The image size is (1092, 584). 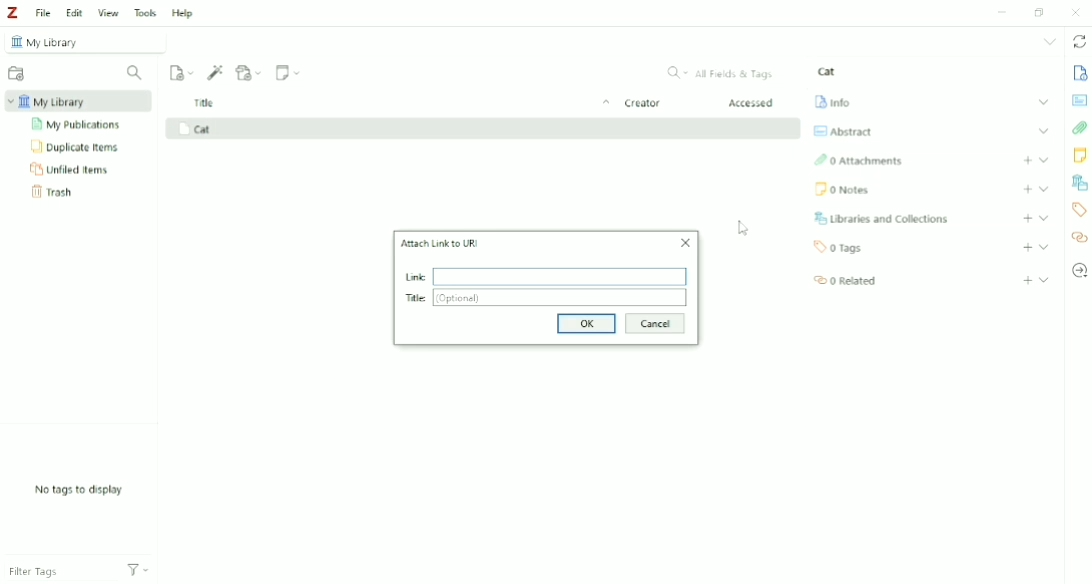 What do you see at coordinates (1079, 72) in the screenshot?
I see `Info` at bounding box center [1079, 72].